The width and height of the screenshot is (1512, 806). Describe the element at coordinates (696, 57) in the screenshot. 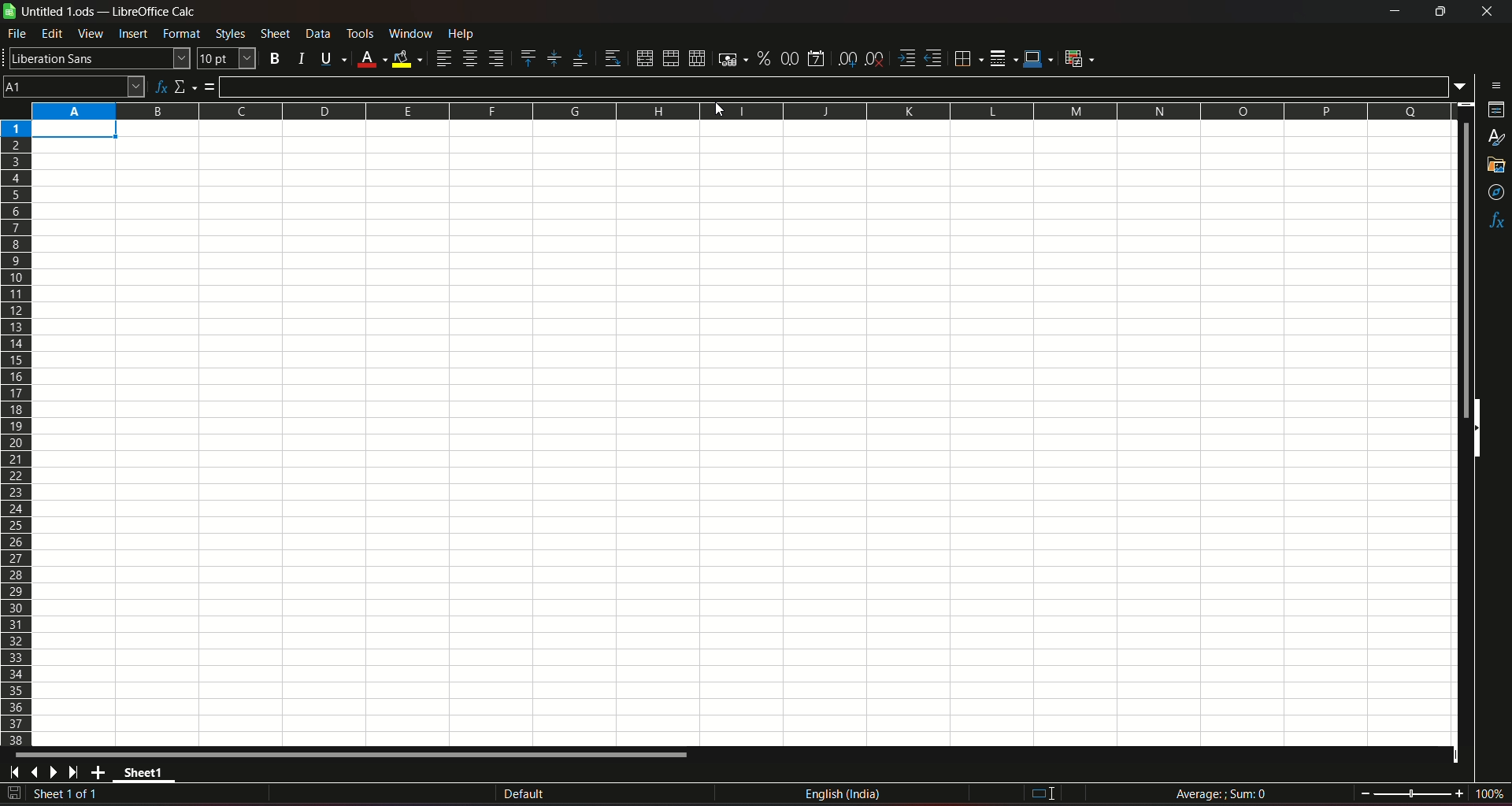

I see `unmerge cells` at that location.